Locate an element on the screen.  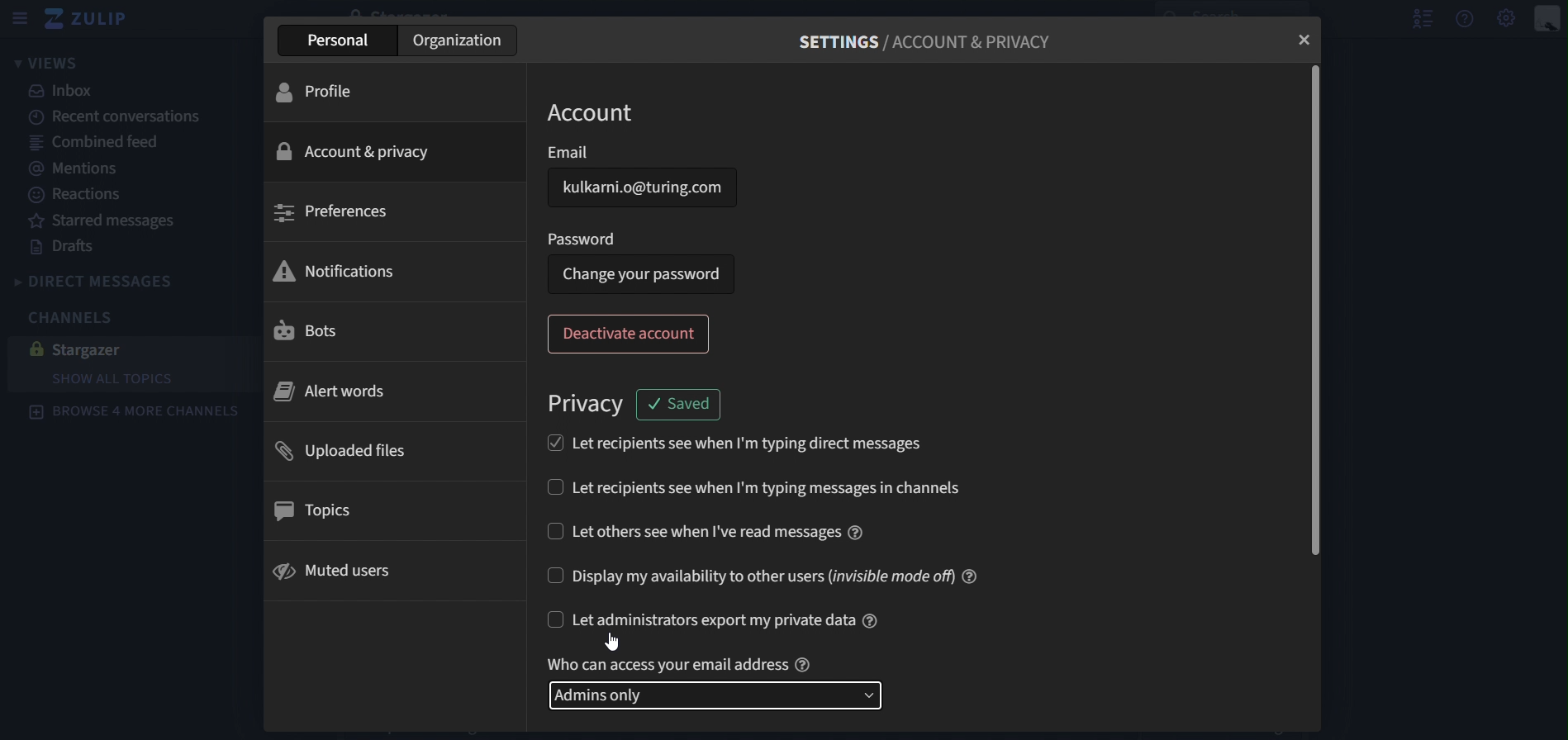
password is located at coordinates (584, 239).